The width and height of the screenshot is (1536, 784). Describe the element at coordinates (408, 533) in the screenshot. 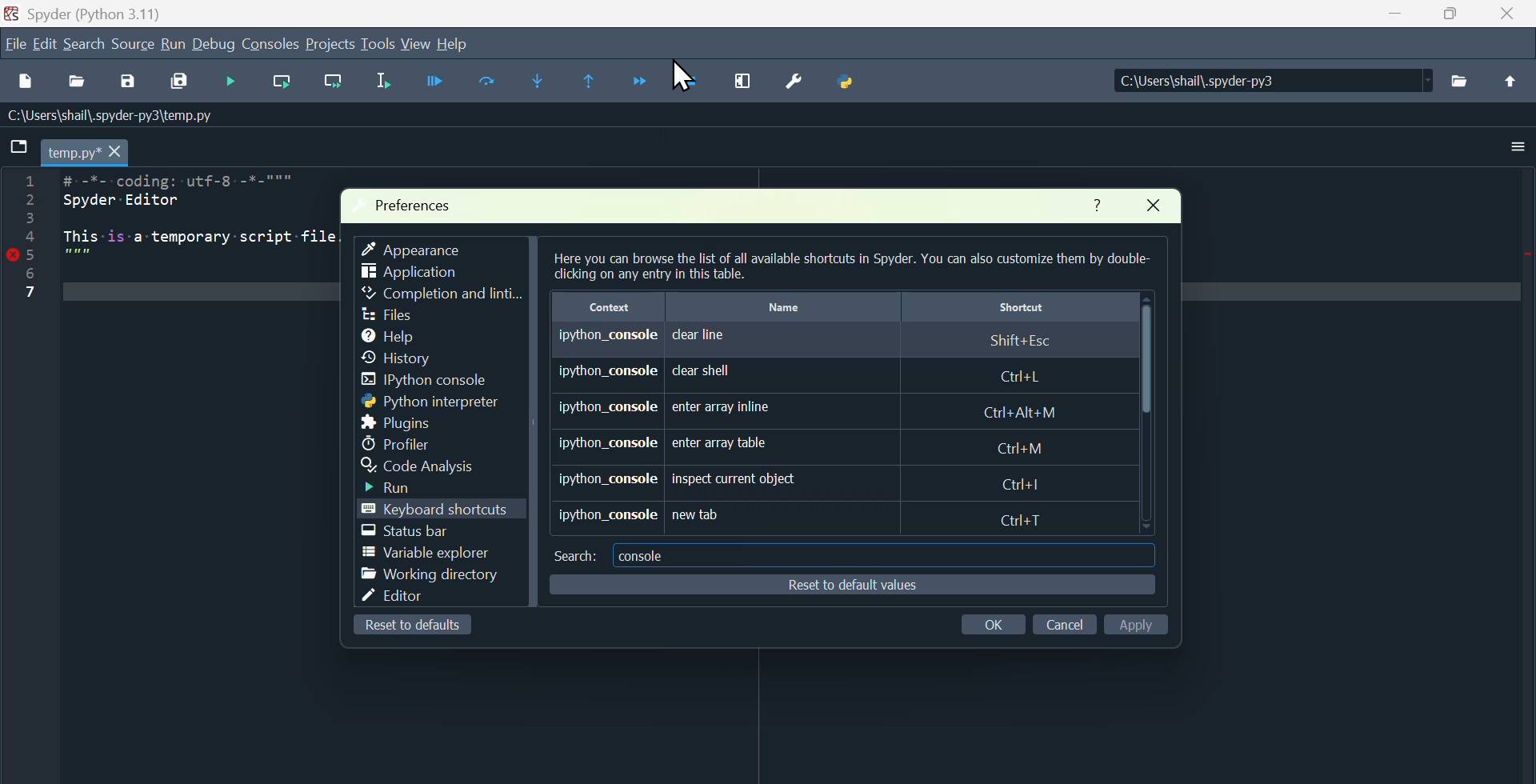

I see `Status bar` at that location.